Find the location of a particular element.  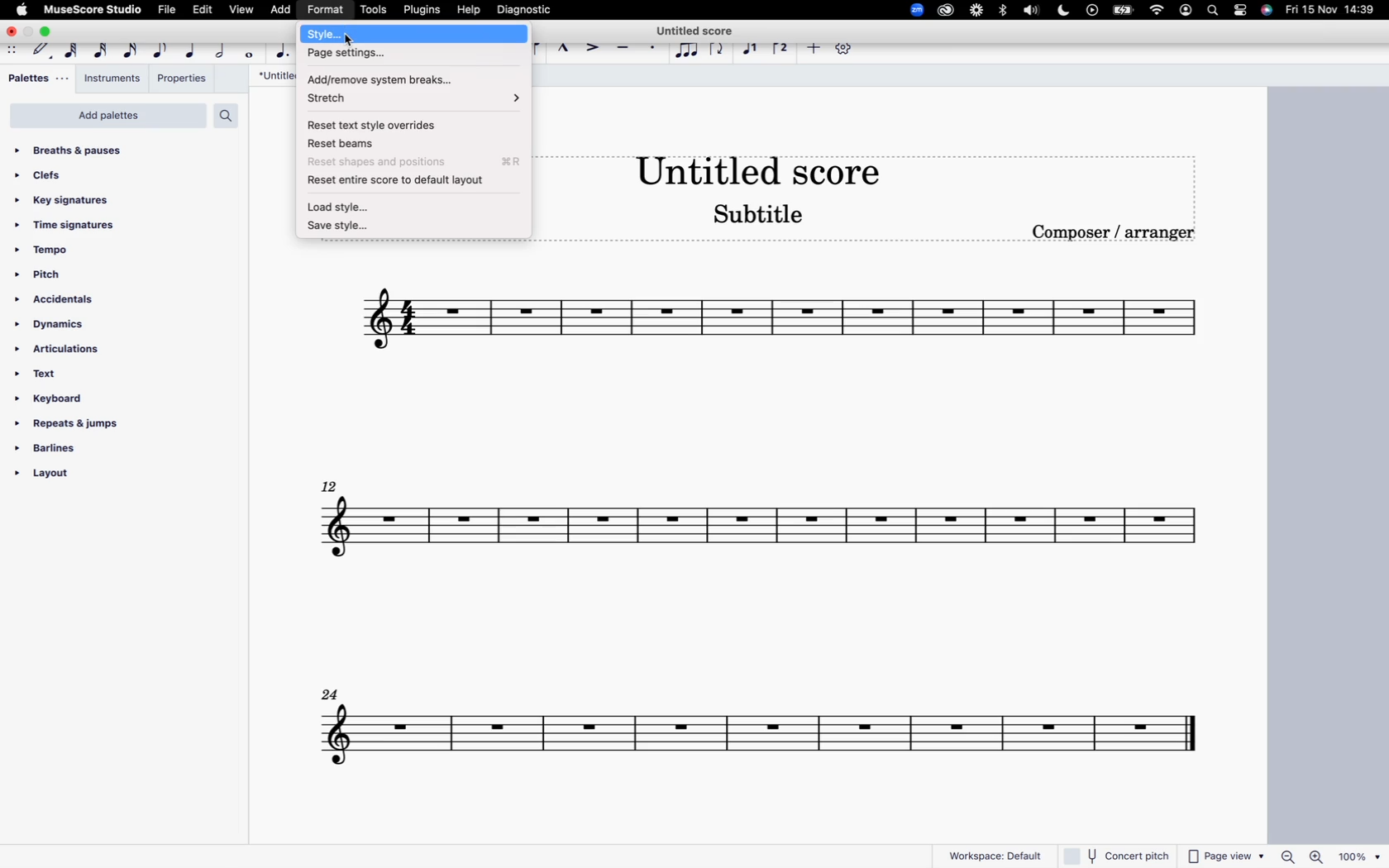

plugins is located at coordinates (423, 12).